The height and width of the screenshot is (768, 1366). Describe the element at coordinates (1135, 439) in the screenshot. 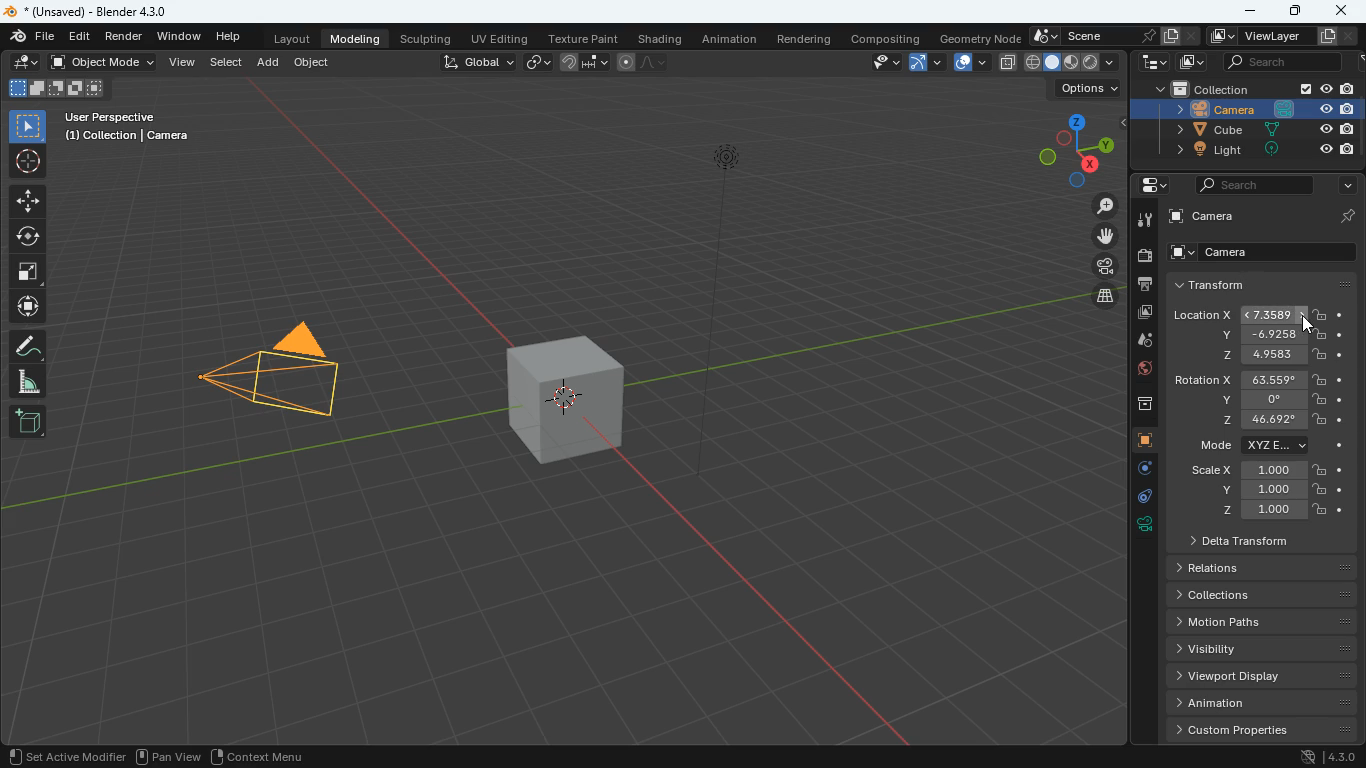

I see `cube` at that location.